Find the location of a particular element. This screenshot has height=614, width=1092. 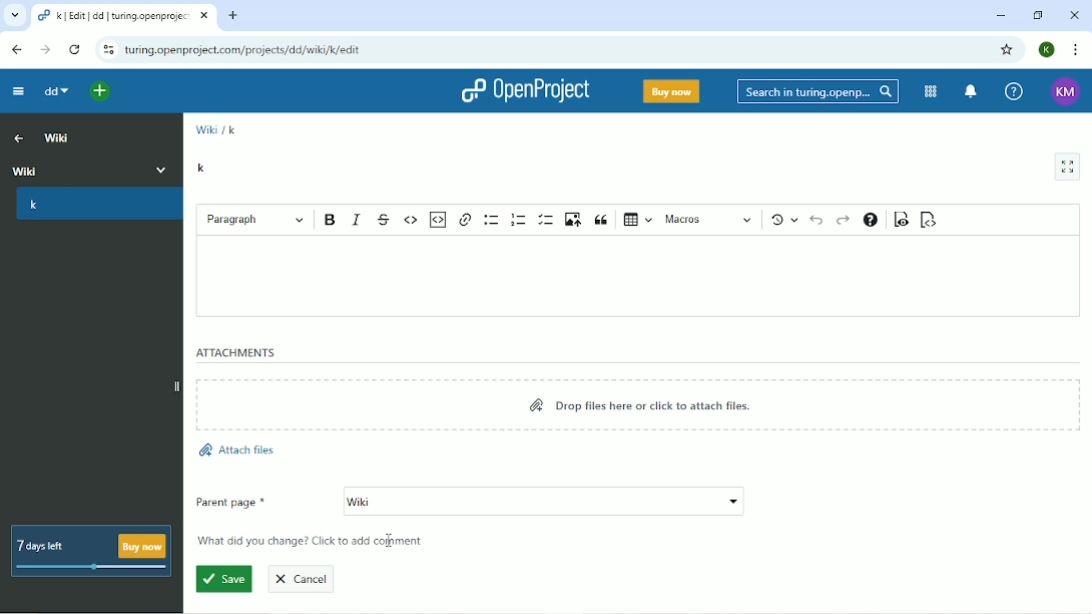

Insert table is located at coordinates (639, 218).